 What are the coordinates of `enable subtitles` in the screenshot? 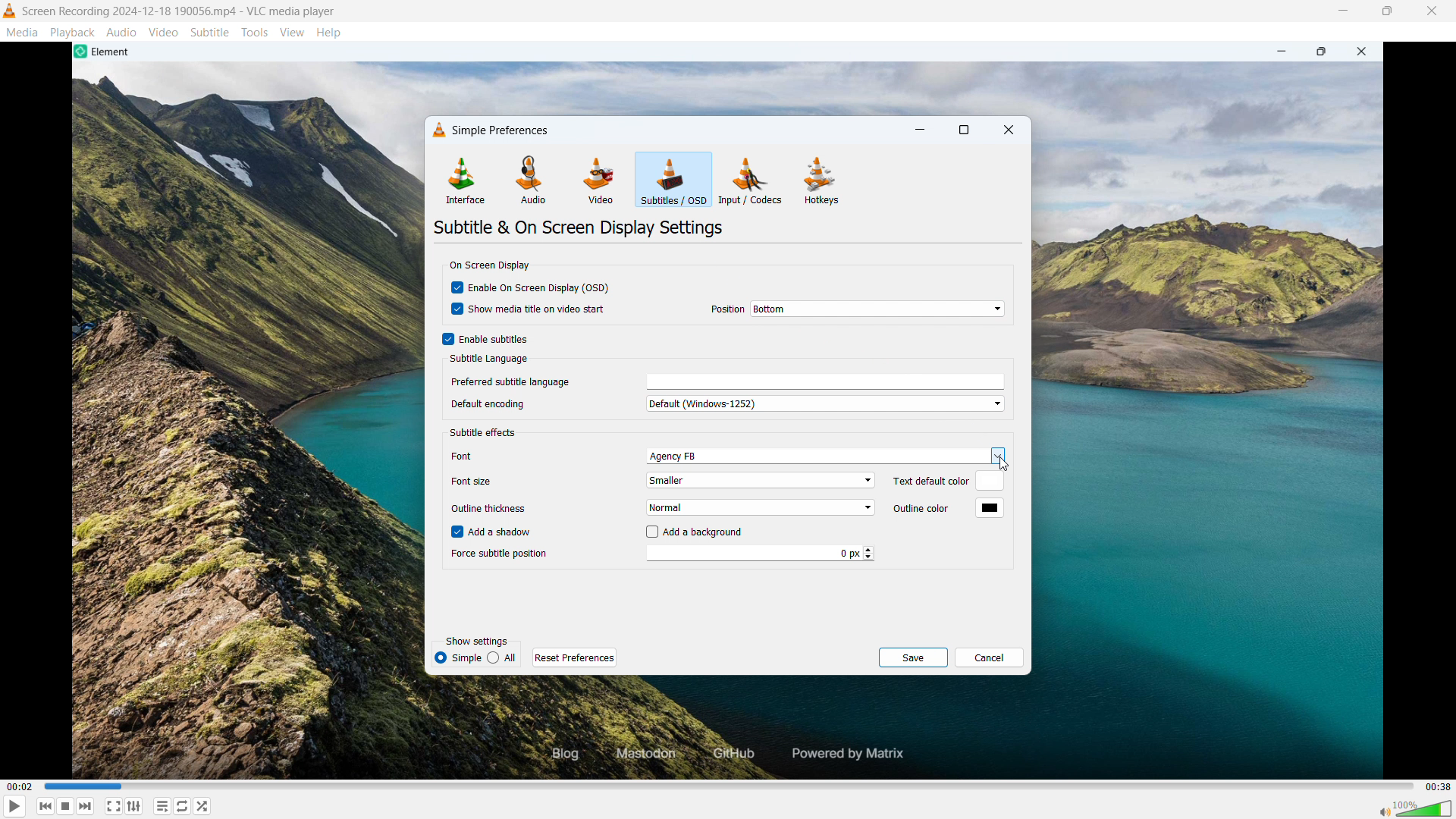 It's located at (485, 339).